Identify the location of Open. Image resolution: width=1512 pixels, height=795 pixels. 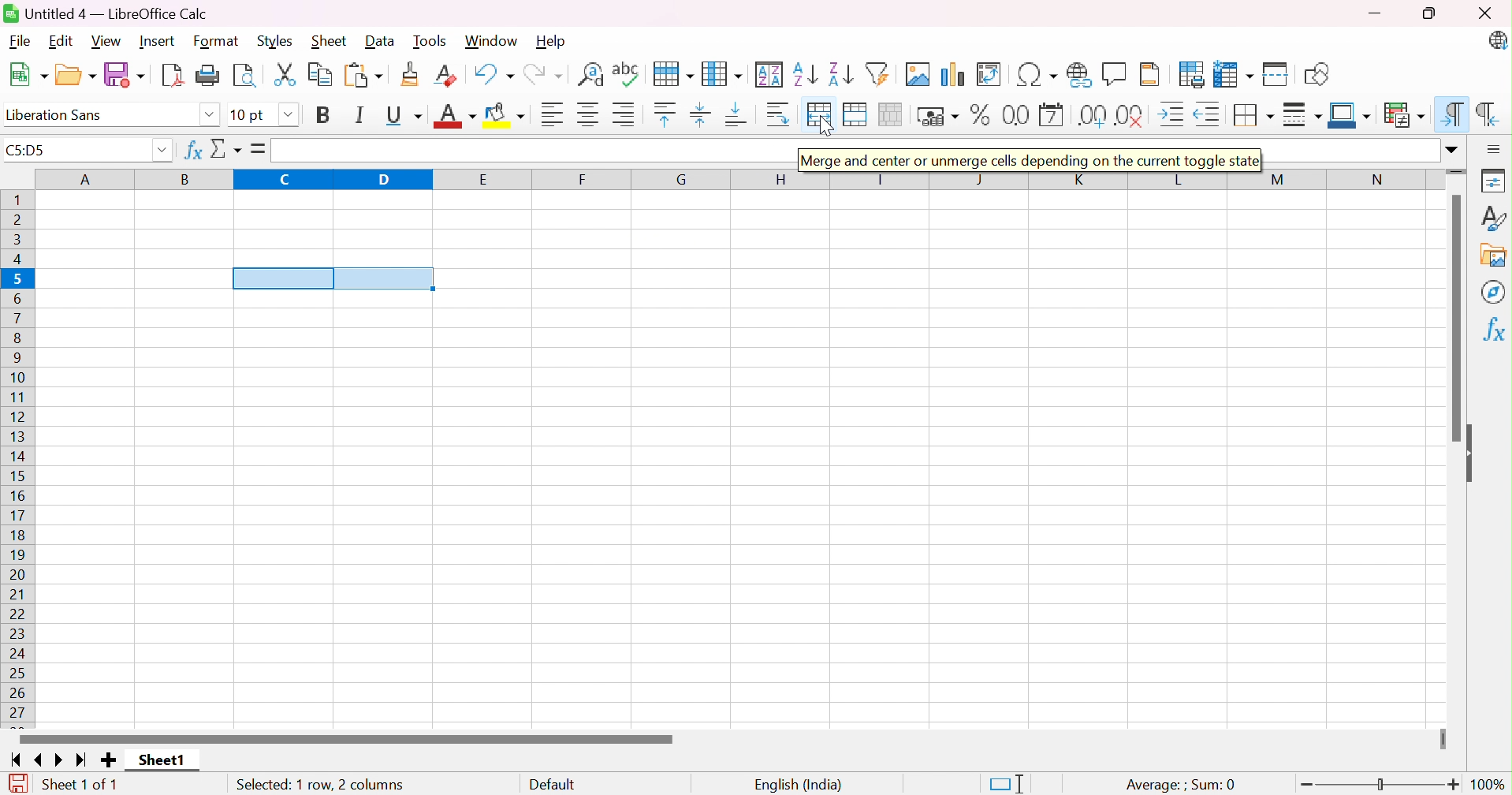
(76, 74).